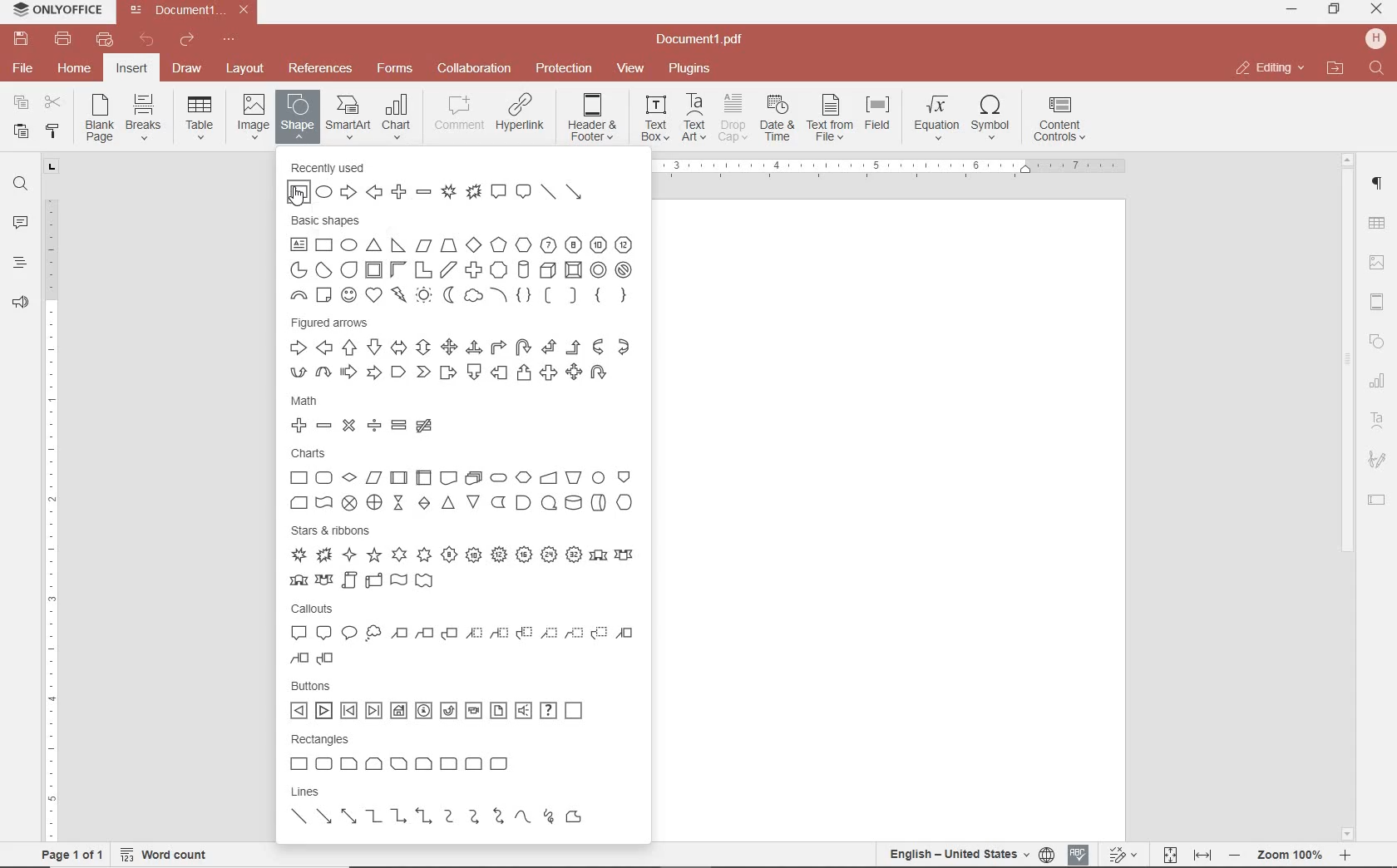  Describe the element at coordinates (1059, 120) in the screenshot. I see `INSERT CONTENT CONTROLS` at that location.